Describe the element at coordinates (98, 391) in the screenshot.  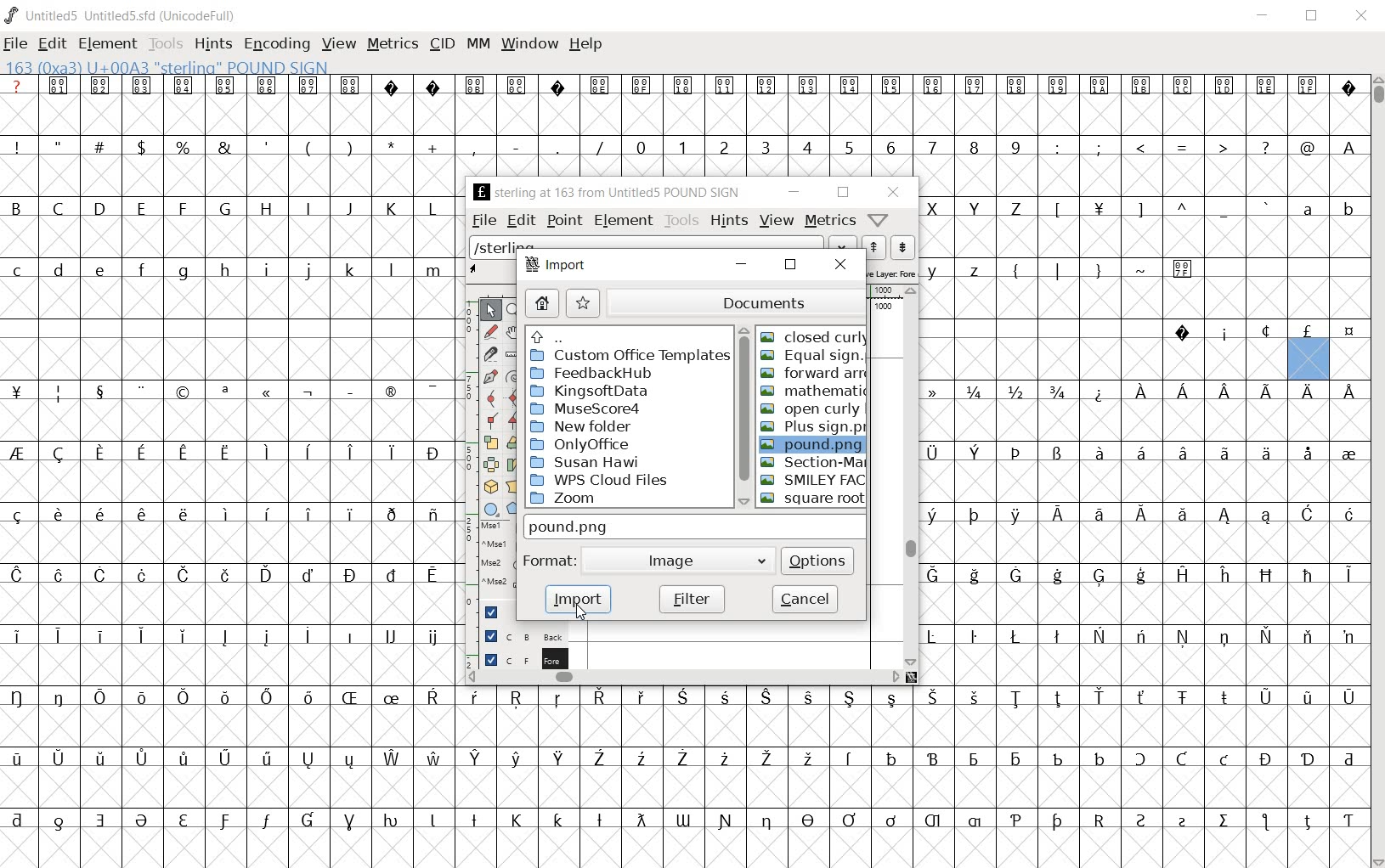
I see `Symbol` at that location.